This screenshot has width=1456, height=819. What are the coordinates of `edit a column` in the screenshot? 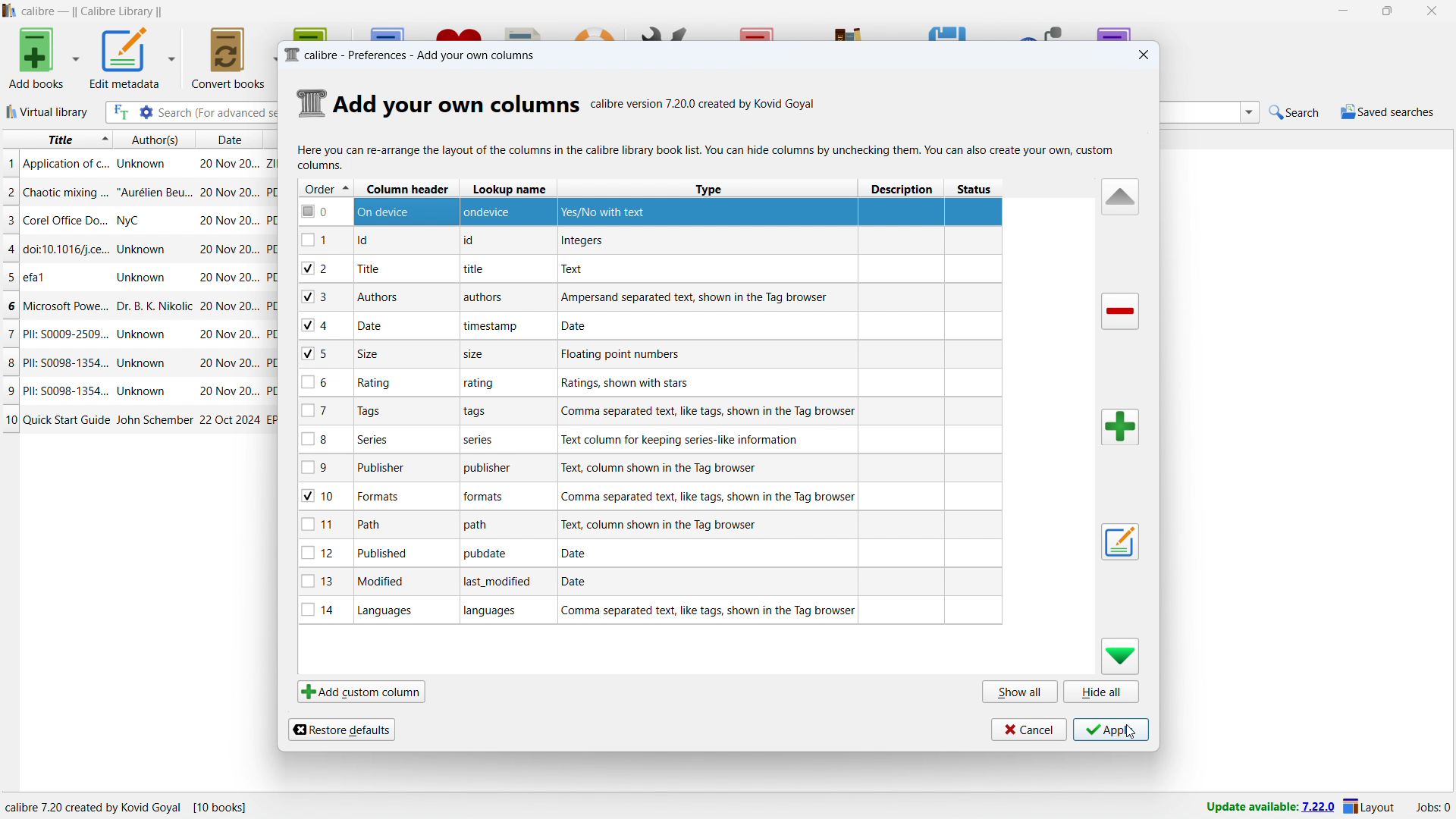 It's located at (1119, 541).